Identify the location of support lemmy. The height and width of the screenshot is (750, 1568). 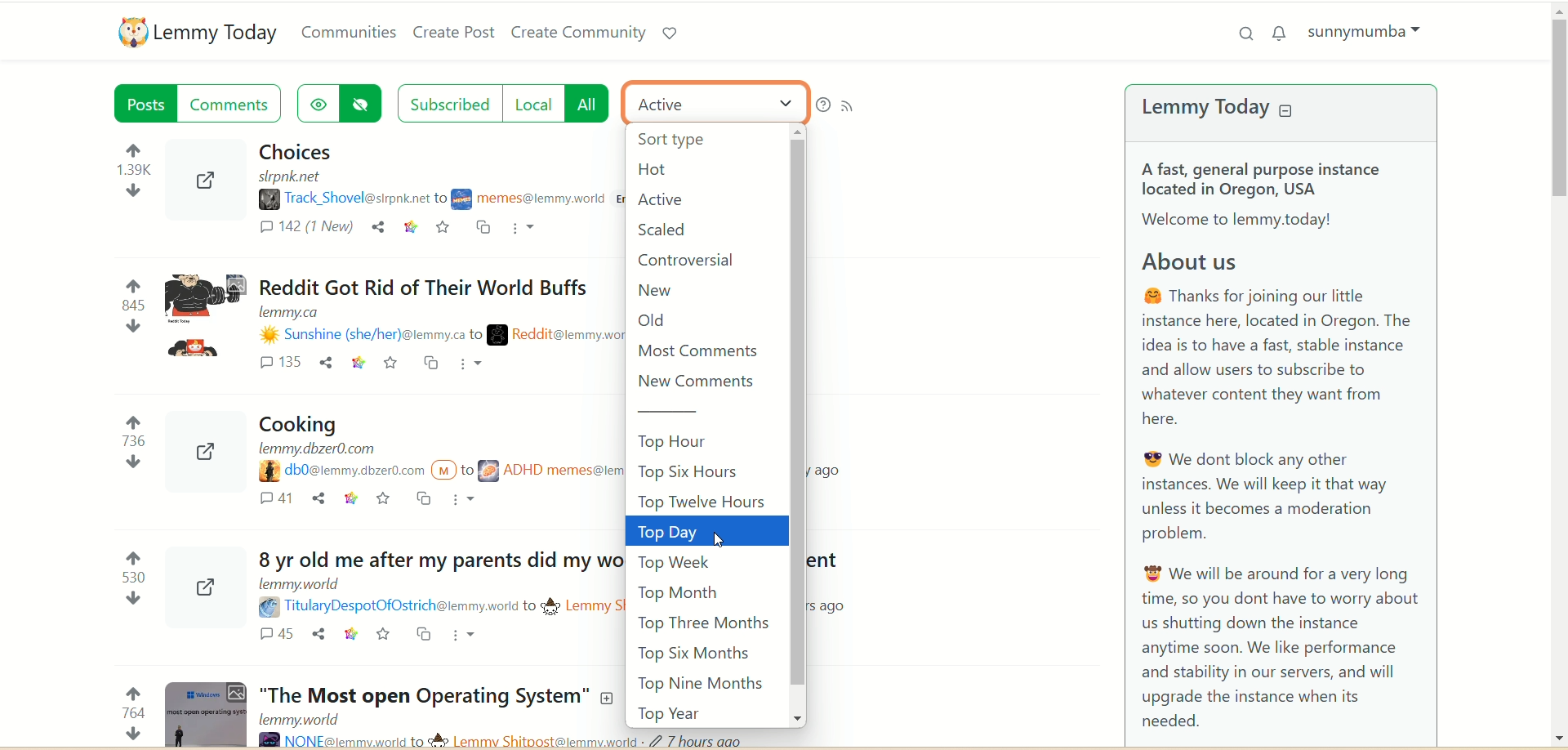
(669, 33).